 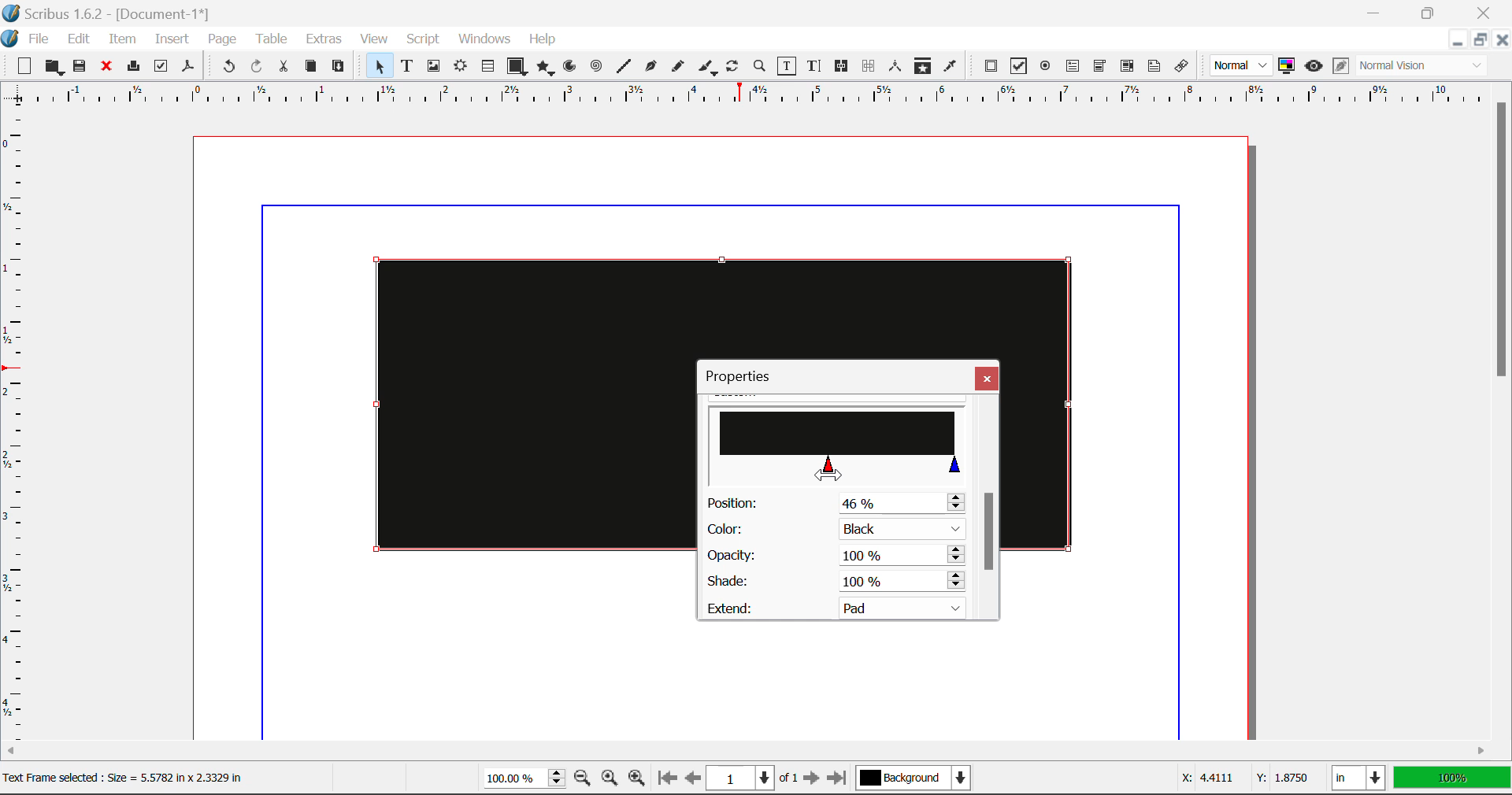 I want to click on Background, so click(x=917, y=780).